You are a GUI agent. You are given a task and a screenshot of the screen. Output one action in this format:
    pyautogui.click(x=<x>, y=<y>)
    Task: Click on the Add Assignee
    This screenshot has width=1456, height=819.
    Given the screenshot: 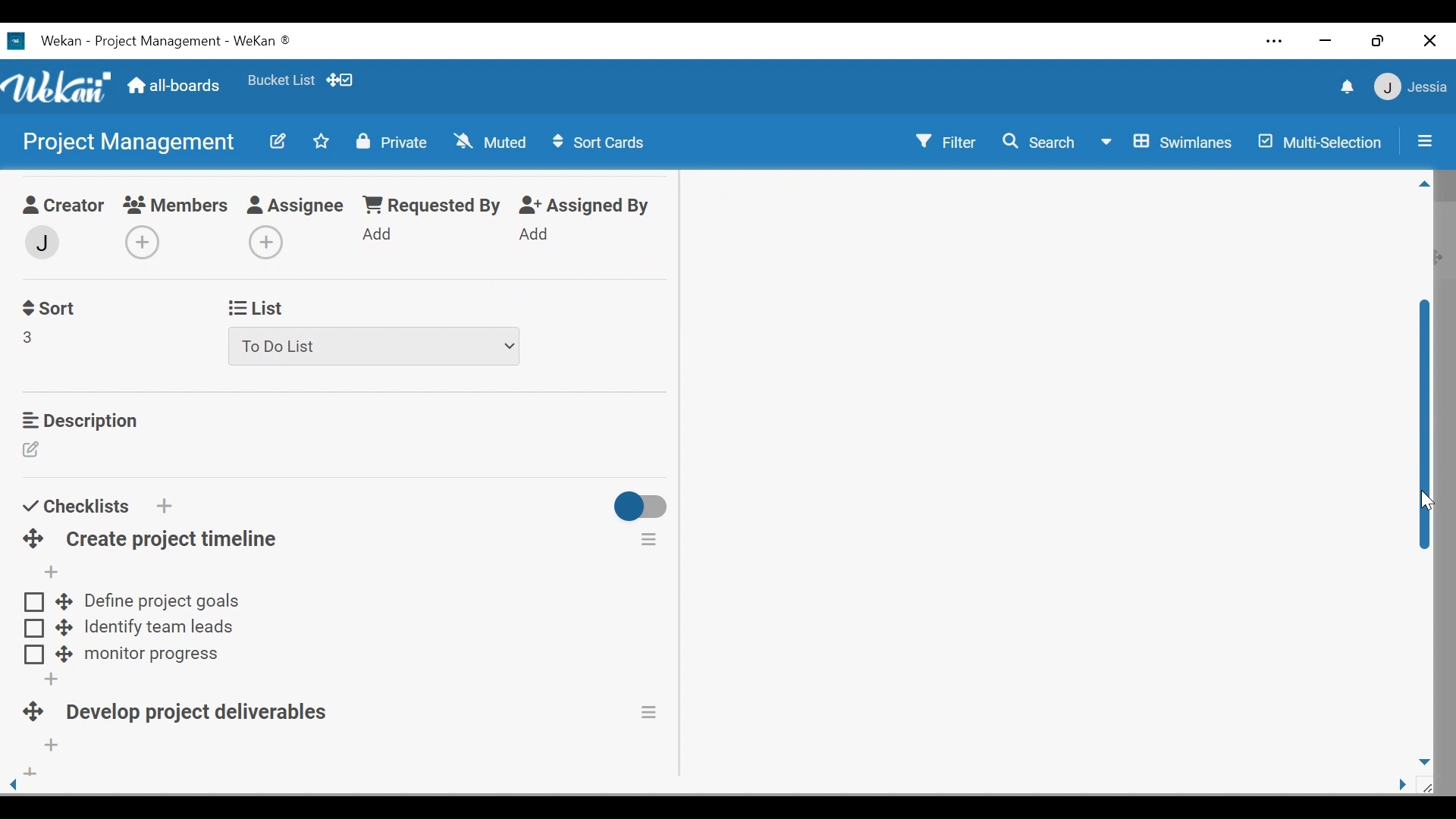 What is the action you would take?
    pyautogui.click(x=263, y=243)
    